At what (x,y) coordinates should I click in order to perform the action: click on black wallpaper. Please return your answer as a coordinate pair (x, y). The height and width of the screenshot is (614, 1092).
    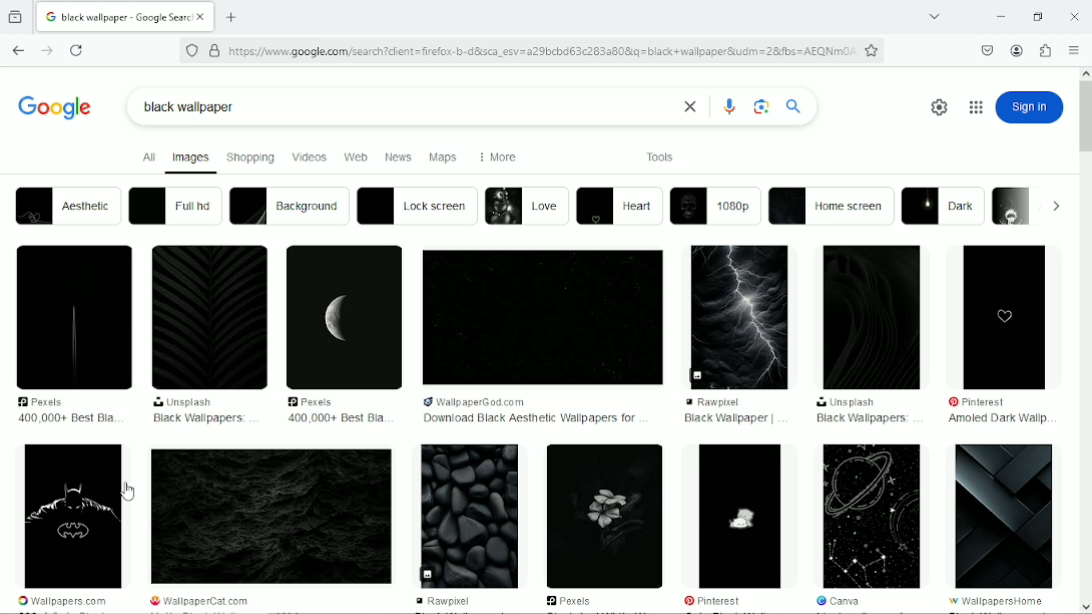
    Looking at the image, I should click on (190, 107).